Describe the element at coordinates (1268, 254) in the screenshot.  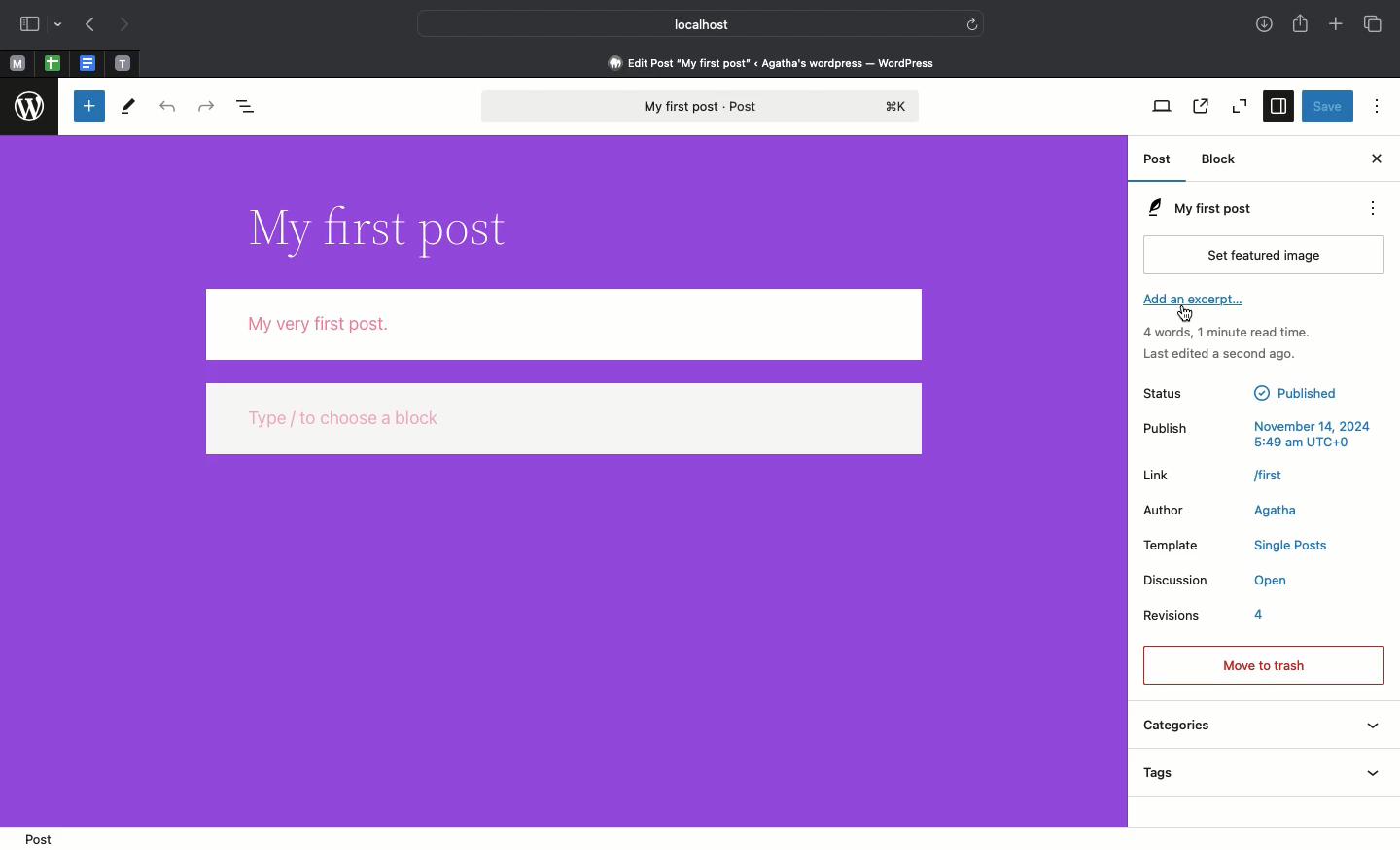
I see `Set featured image` at that location.